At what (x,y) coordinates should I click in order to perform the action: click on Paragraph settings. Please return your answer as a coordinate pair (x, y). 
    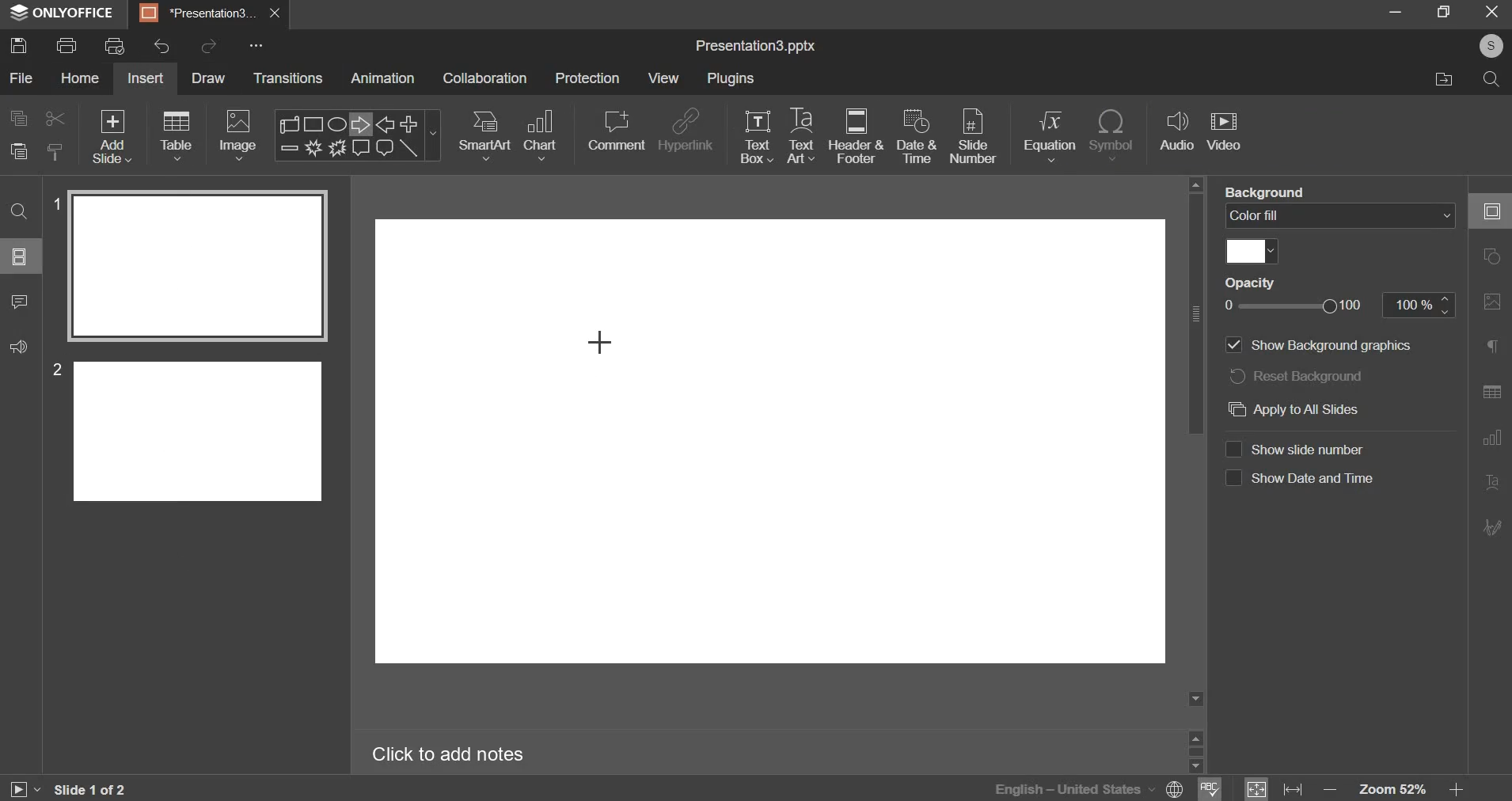
    Looking at the image, I should click on (1492, 345).